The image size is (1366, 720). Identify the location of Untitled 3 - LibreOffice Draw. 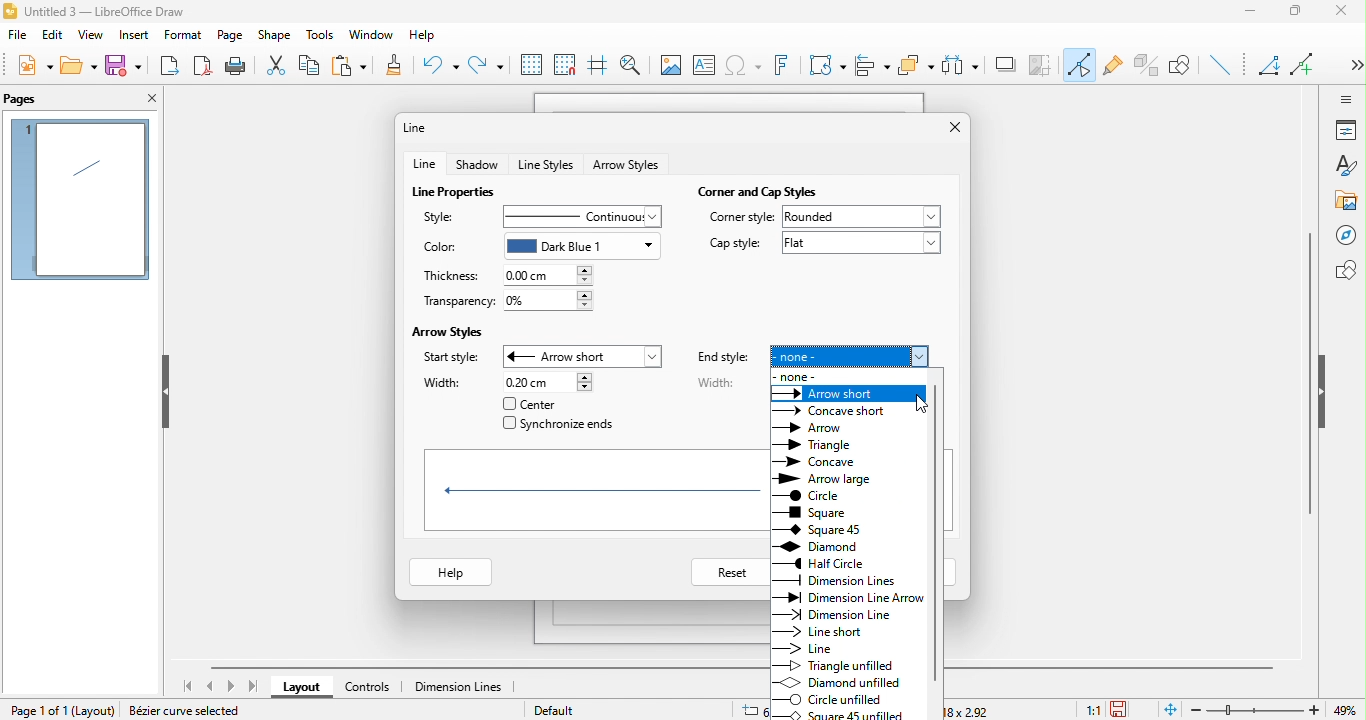
(96, 10).